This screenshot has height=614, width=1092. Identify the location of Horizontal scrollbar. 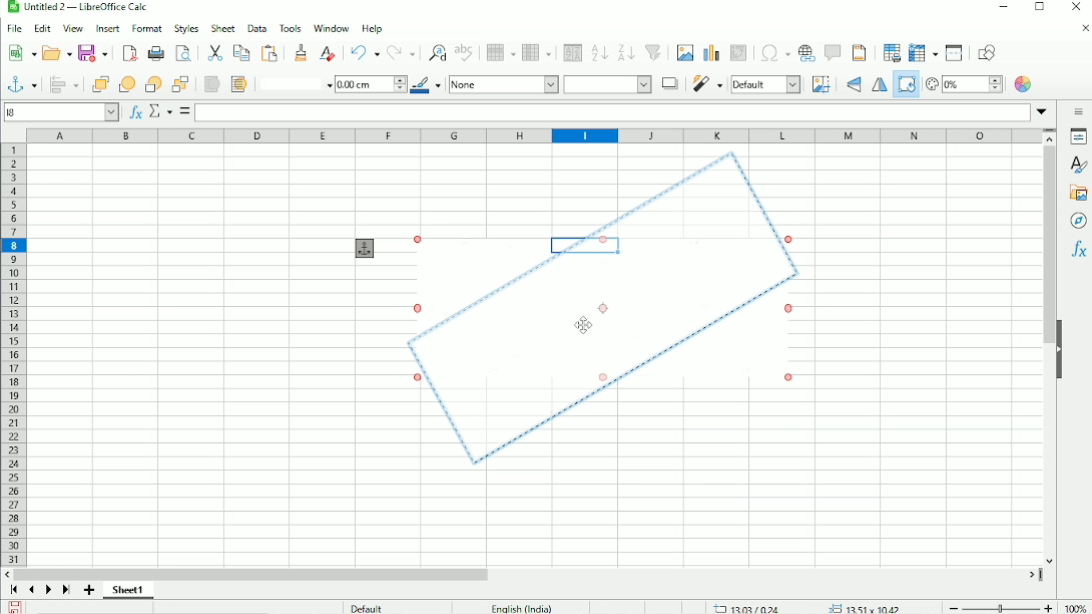
(251, 574).